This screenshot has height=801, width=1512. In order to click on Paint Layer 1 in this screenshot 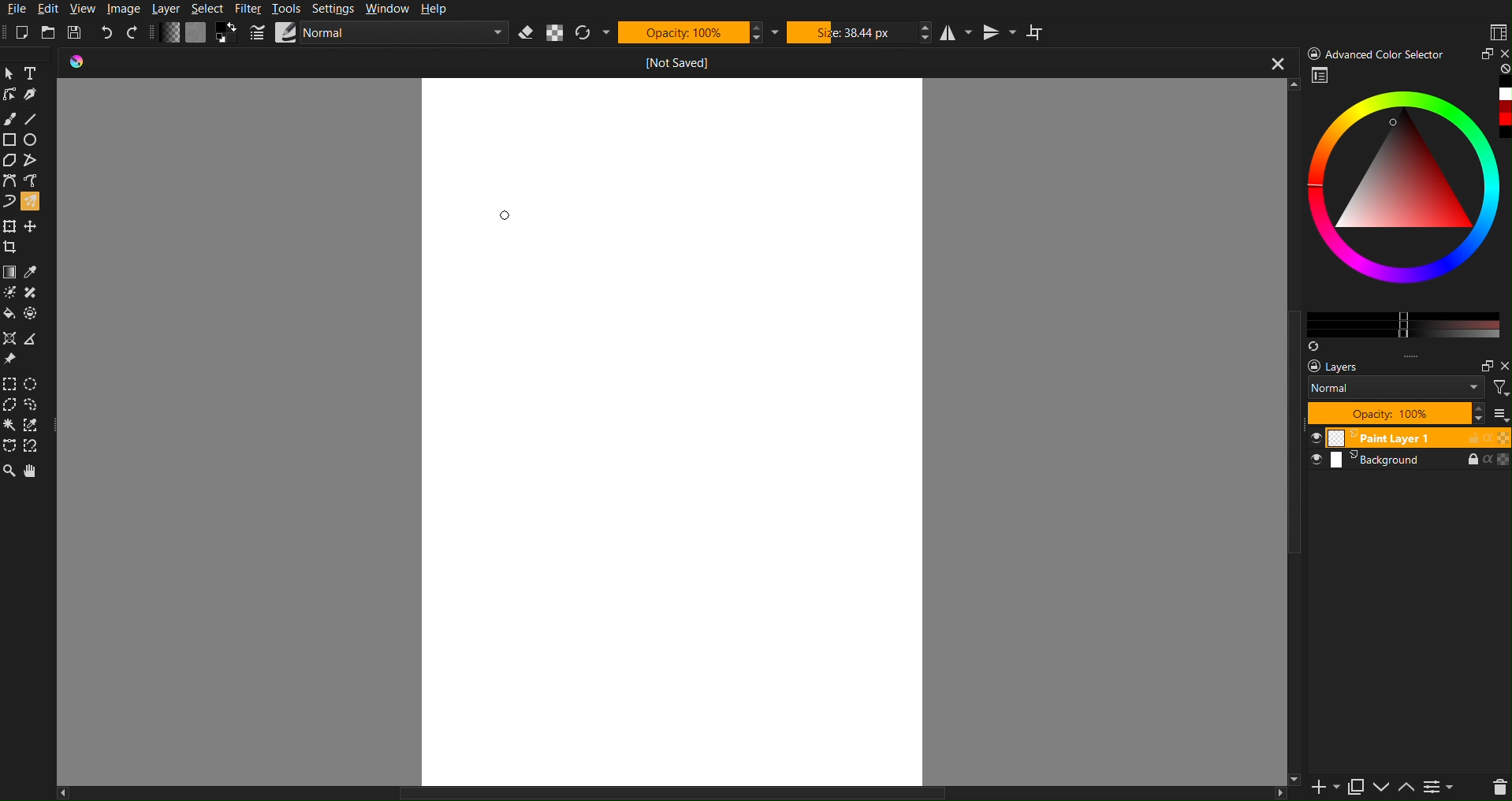, I will do `click(1410, 437)`.